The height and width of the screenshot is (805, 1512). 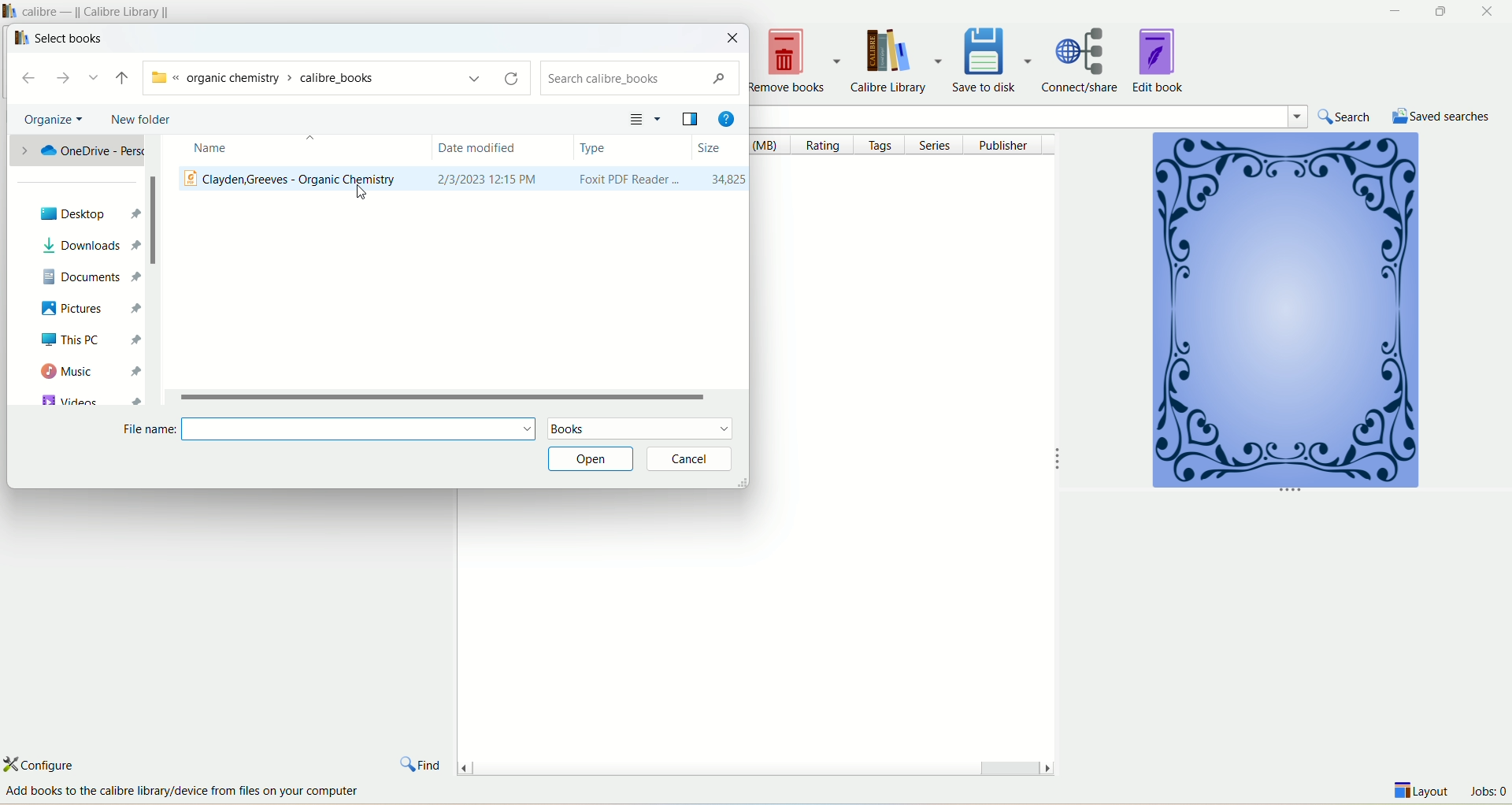 I want to click on onedrive-personal, so click(x=77, y=153).